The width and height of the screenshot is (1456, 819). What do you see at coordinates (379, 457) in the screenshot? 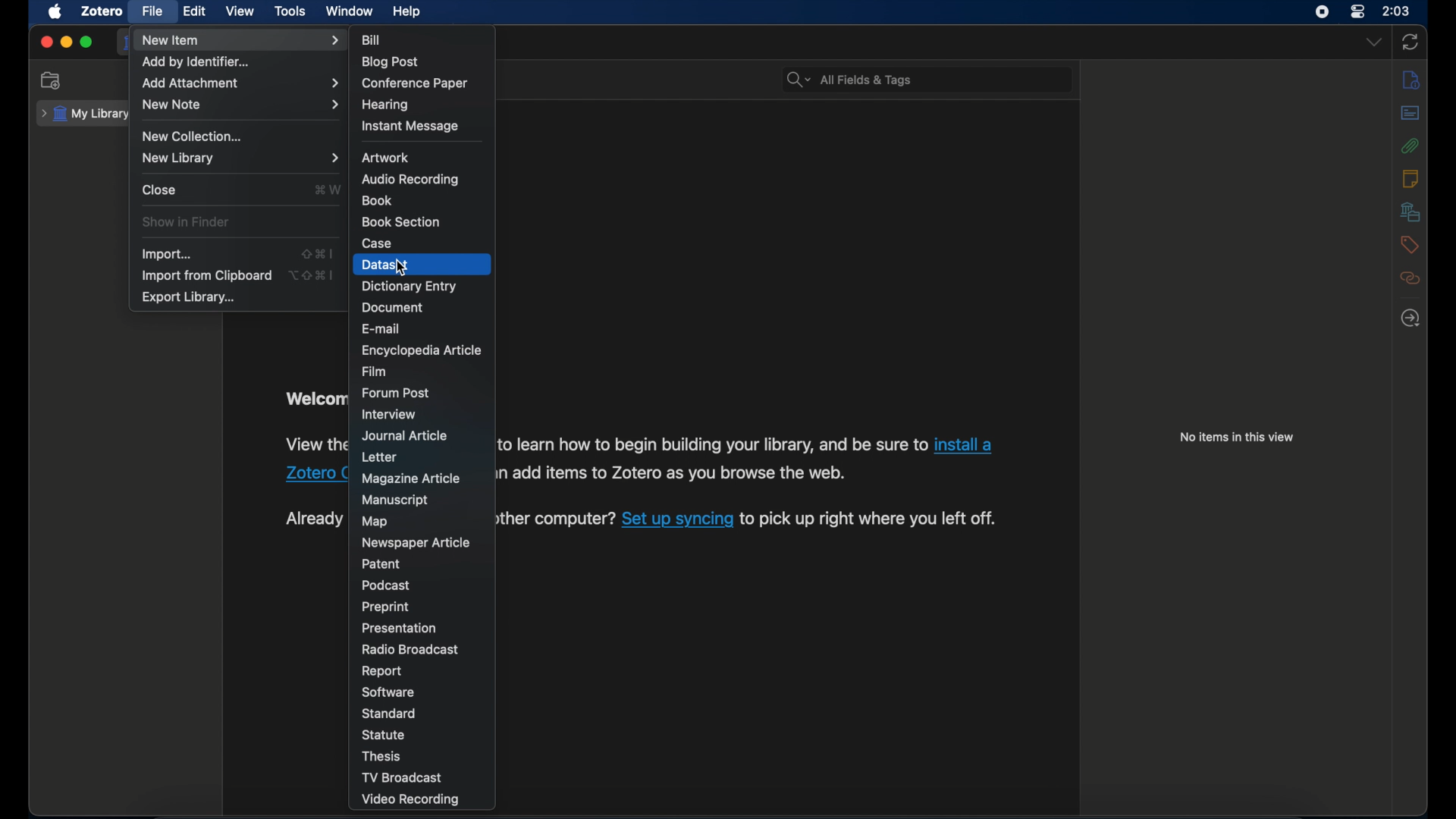
I see `letter` at bounding box center [379, 457].